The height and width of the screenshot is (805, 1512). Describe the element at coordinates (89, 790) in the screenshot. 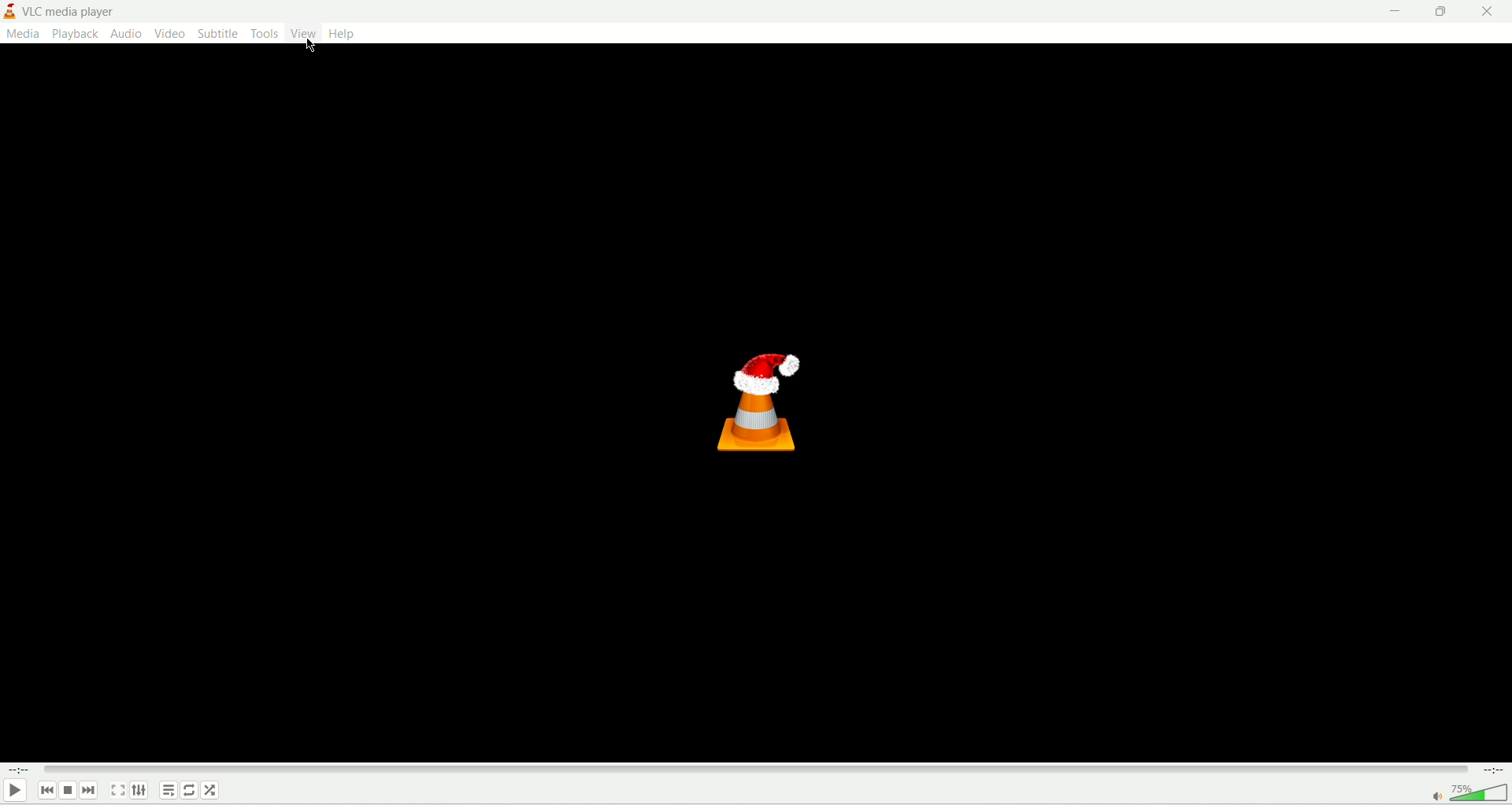

I see `next` at that location.